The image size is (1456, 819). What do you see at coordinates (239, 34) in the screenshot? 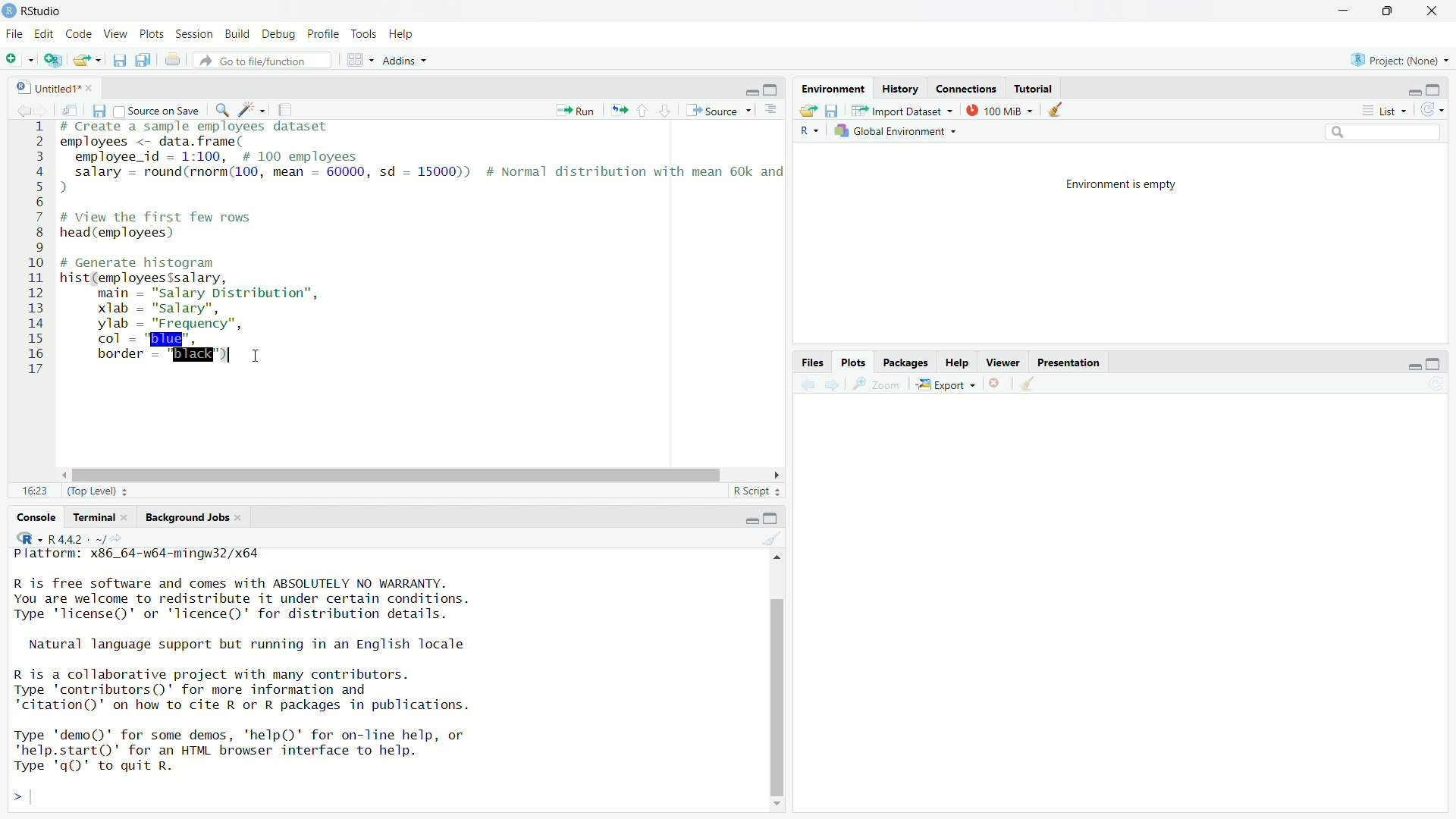
I see `Build` at bounding box center [239, 34].